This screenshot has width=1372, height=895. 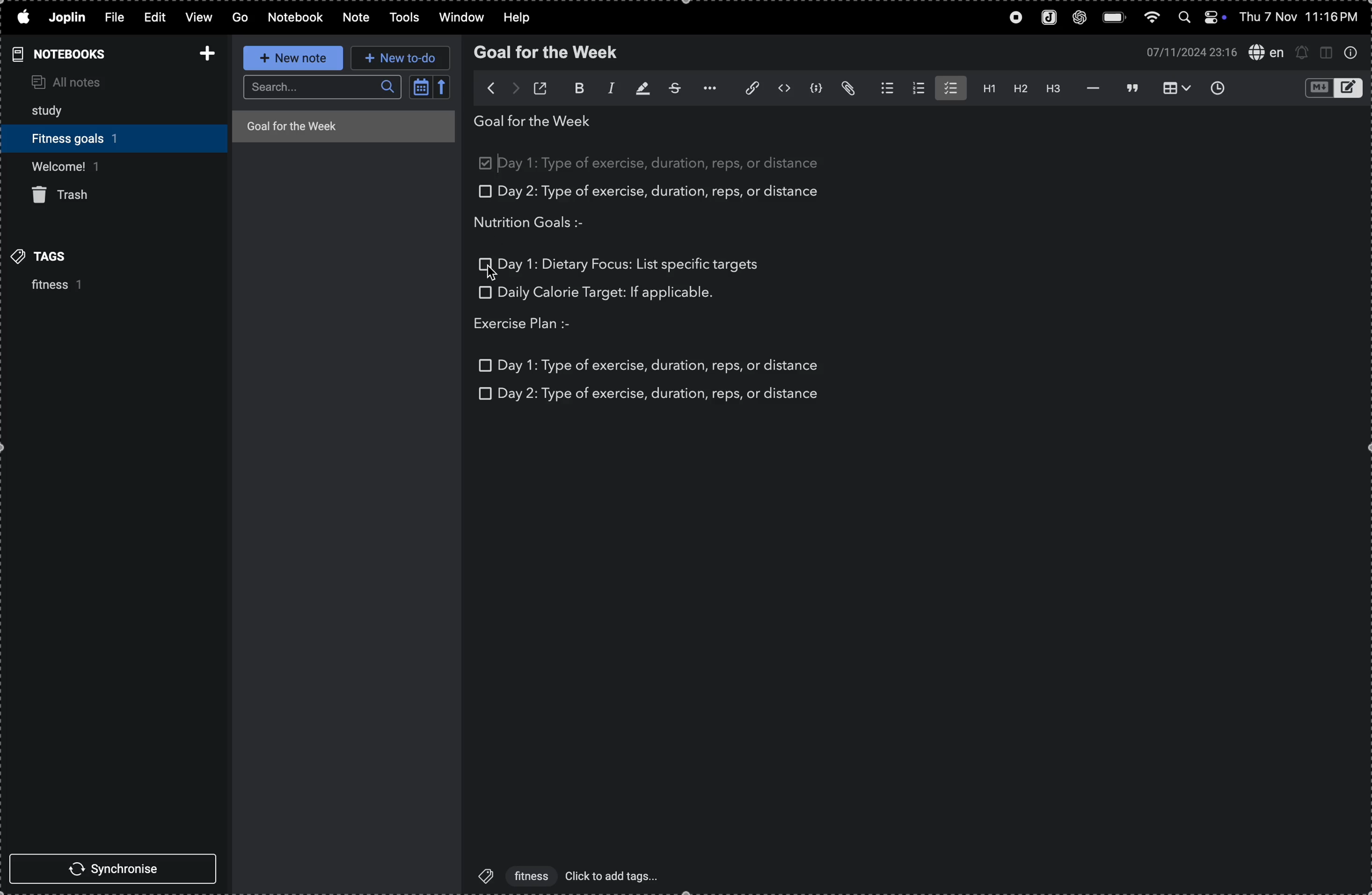 What do you see at coordinates (241, 17) in the screenshot?
I see `GO` at bounding box center [241, 17].